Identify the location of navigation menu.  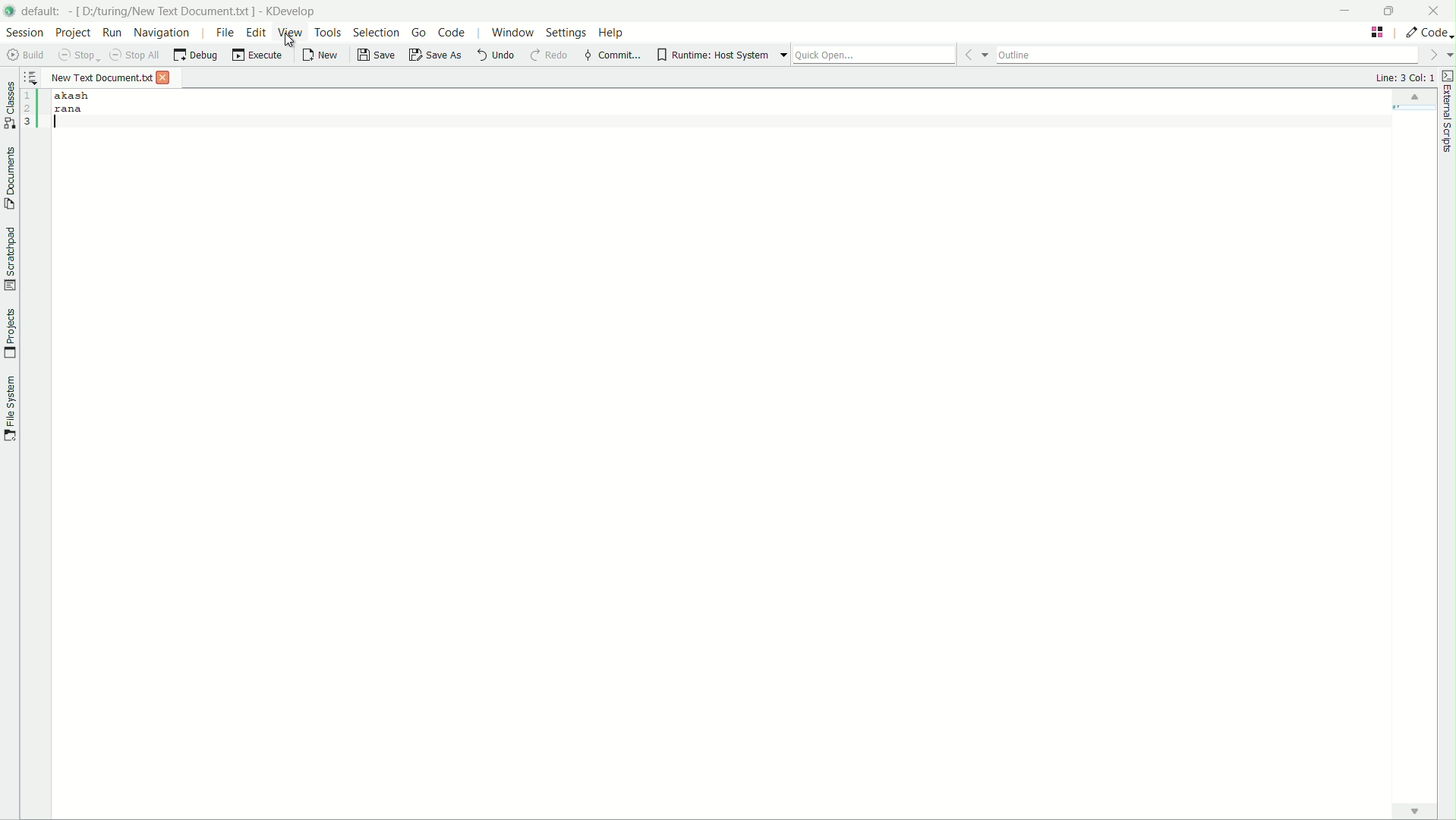
(162, 33).